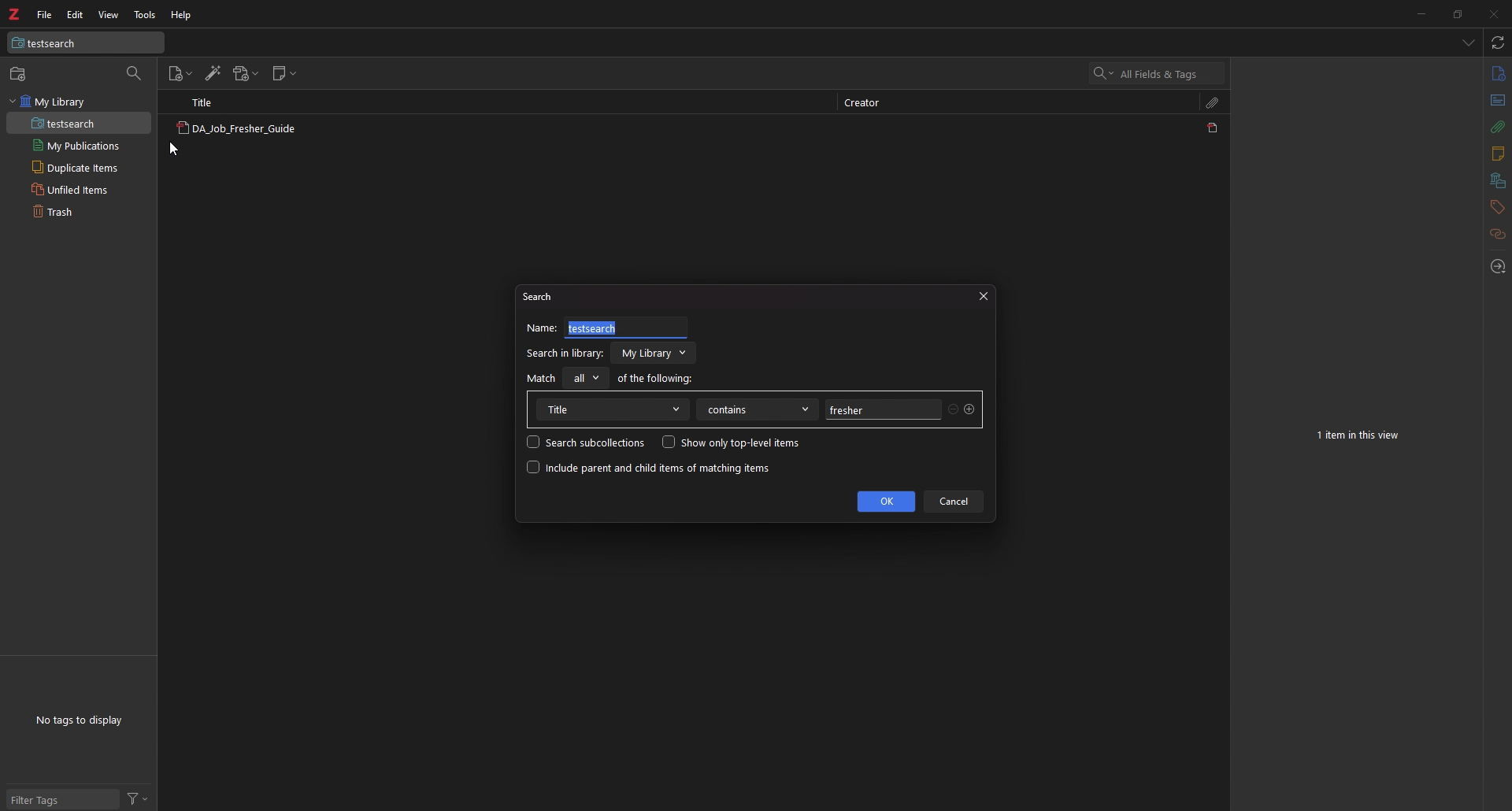  I want to click on cancel, so click(954, 502).